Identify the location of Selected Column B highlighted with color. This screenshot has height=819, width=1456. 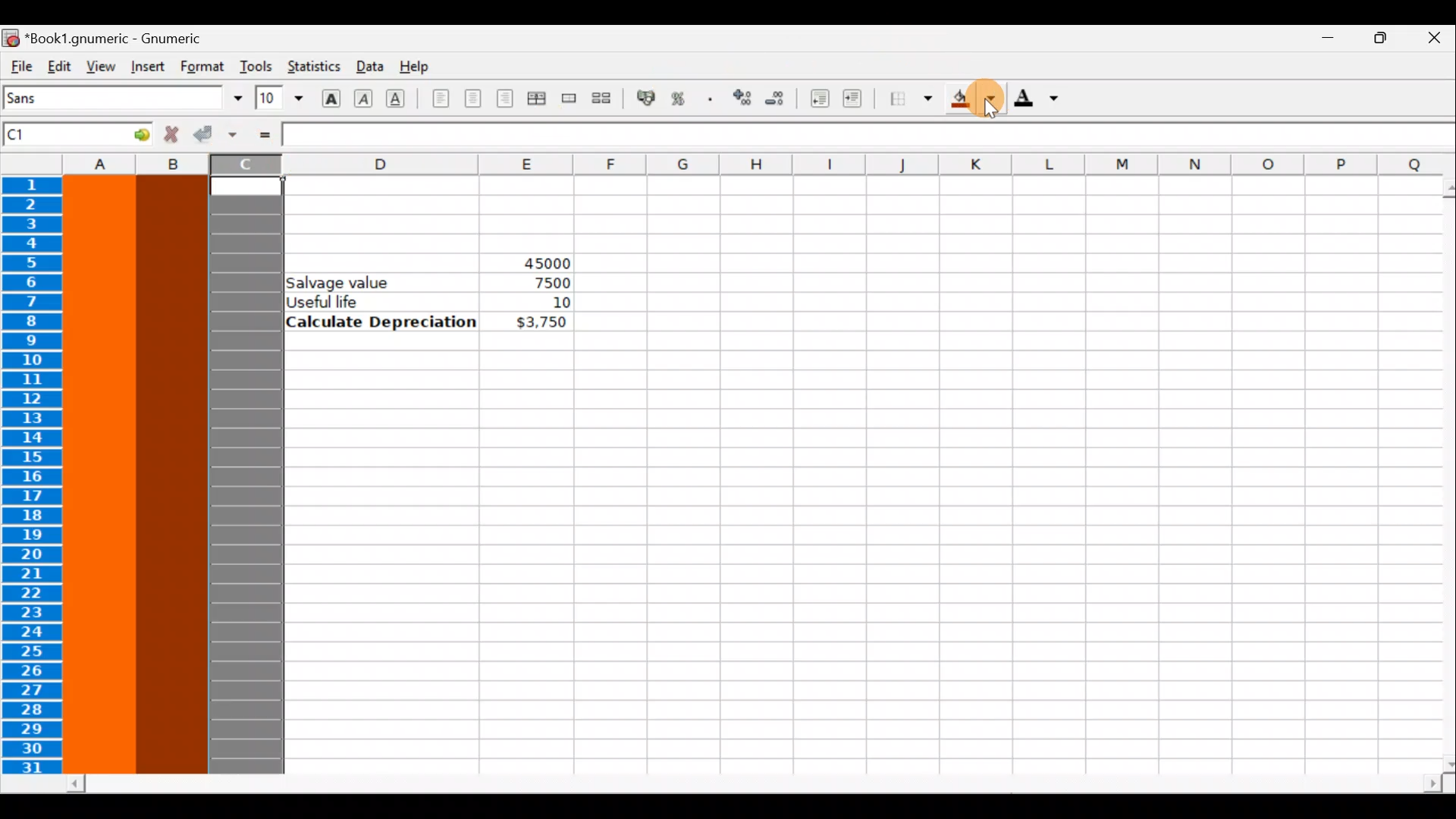
(172, 472).